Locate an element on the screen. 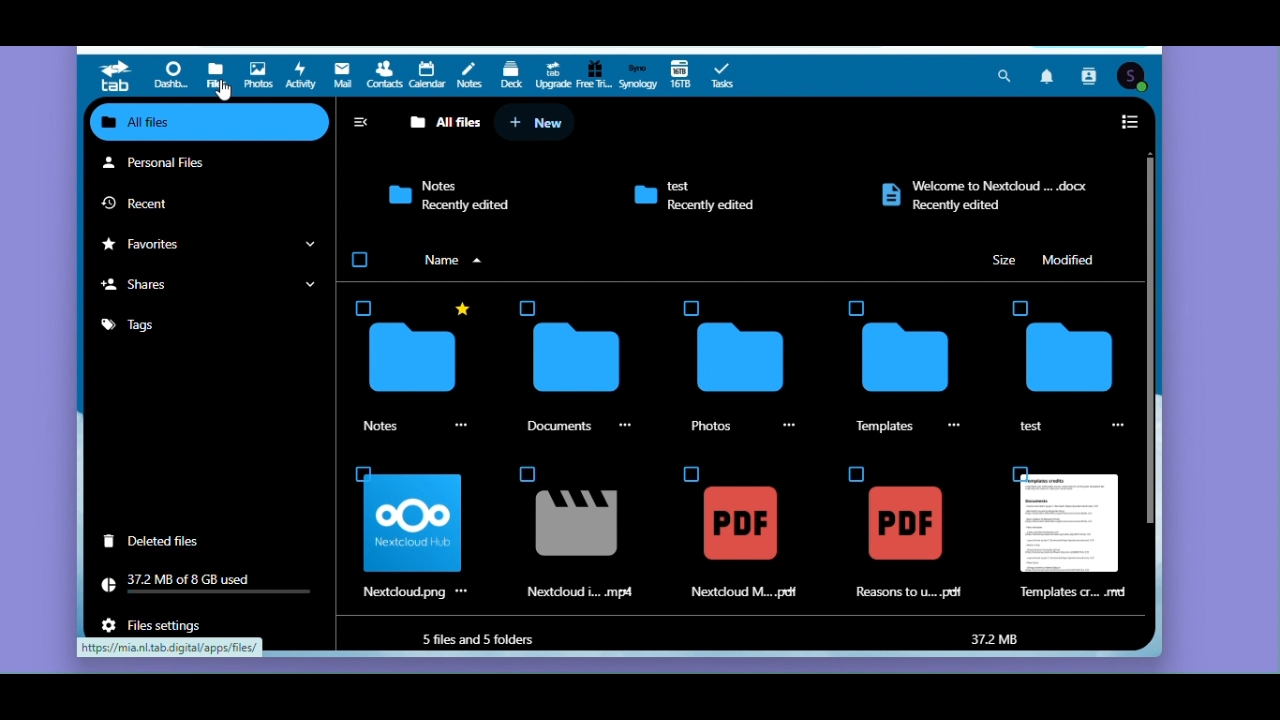 This screenshot has width=1280, height=720. arrange by name is located at coordinates (455, 261).